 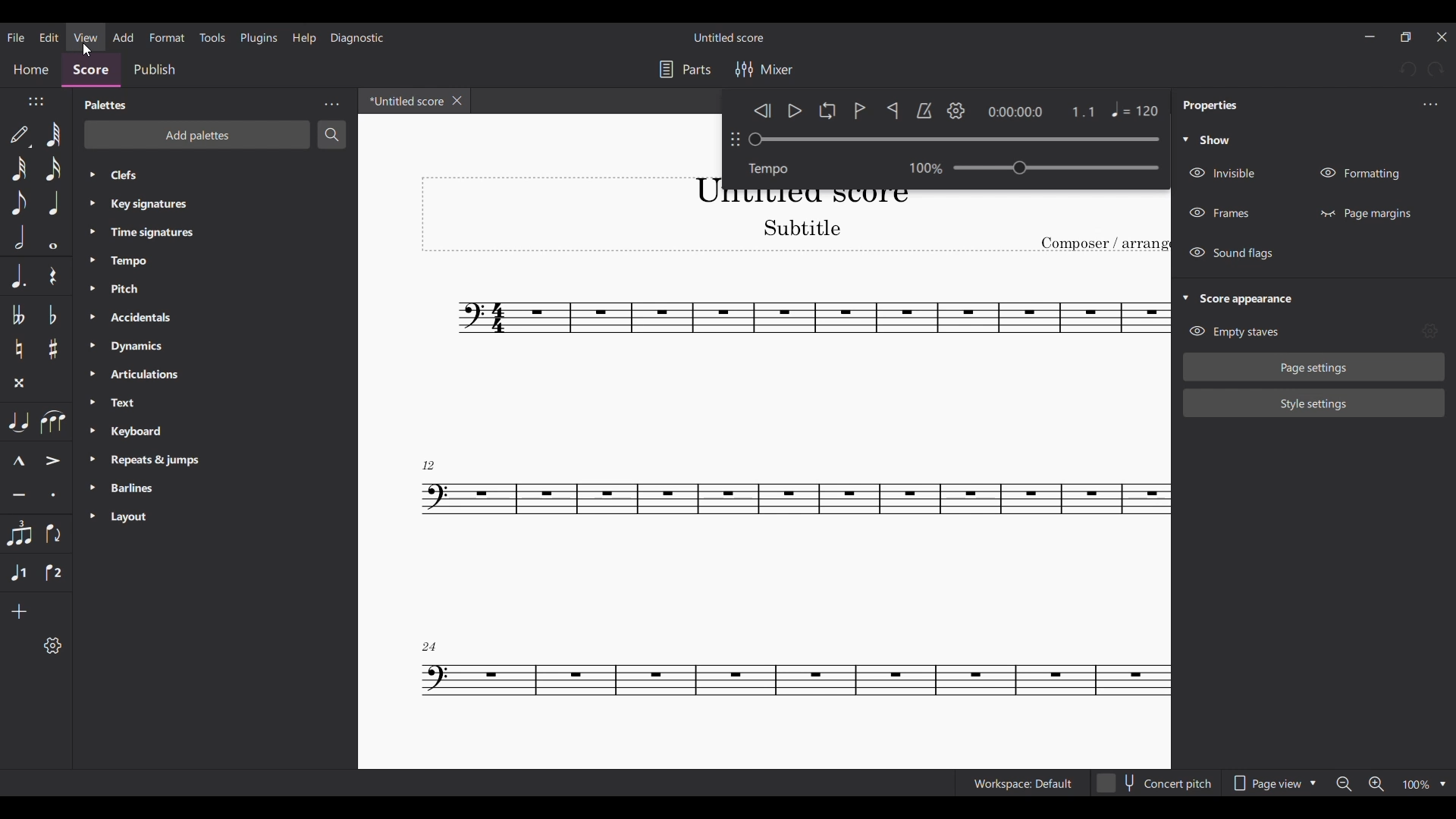 What do you see at coordinates (19, 573) in the screenshot?
I see `Voice 1` at bounding box center [19, 573].